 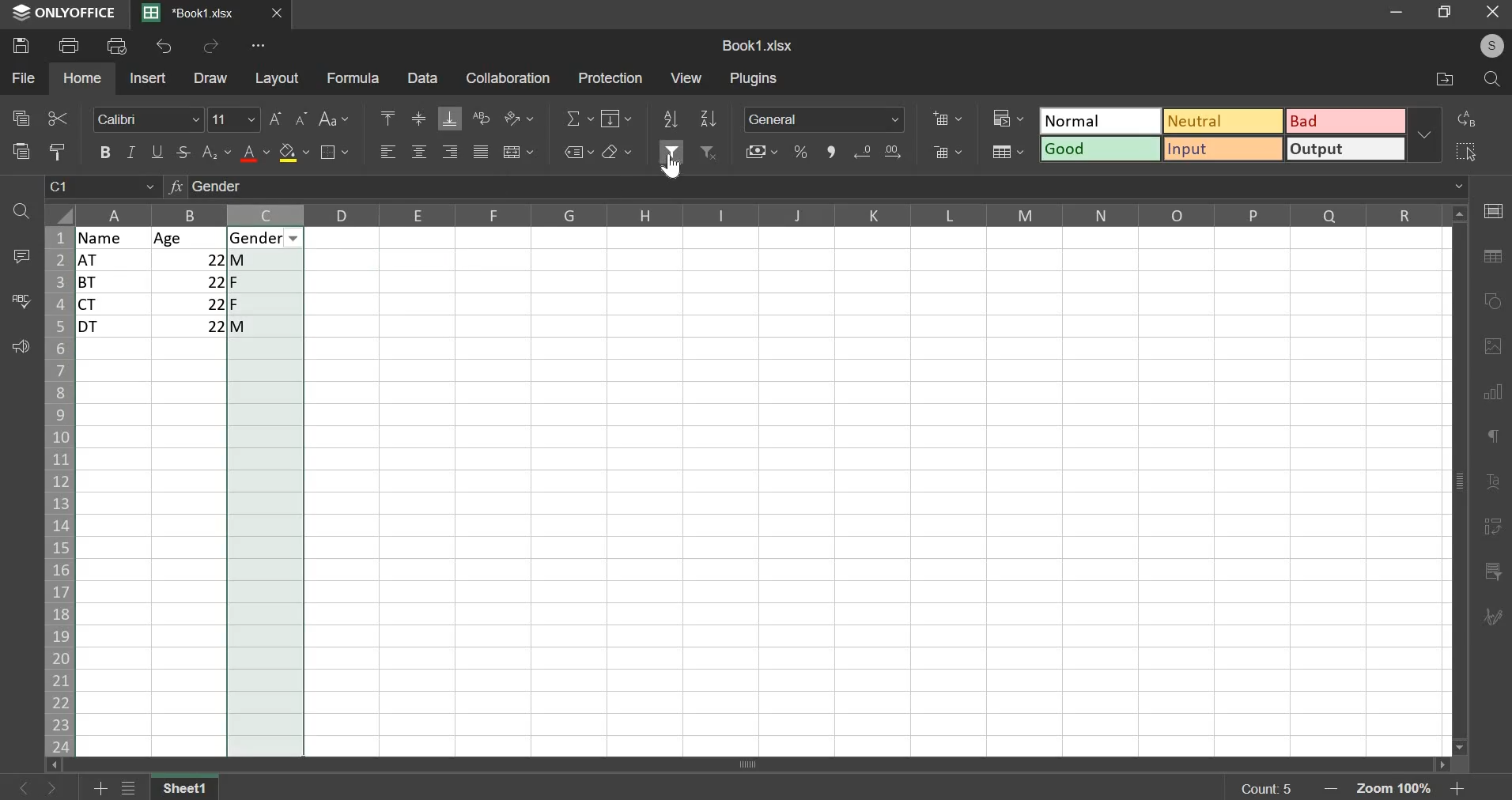 What do you see at coordinates (149, 119) in the screenshot?
I see `font` at bounding box center [149, 119].